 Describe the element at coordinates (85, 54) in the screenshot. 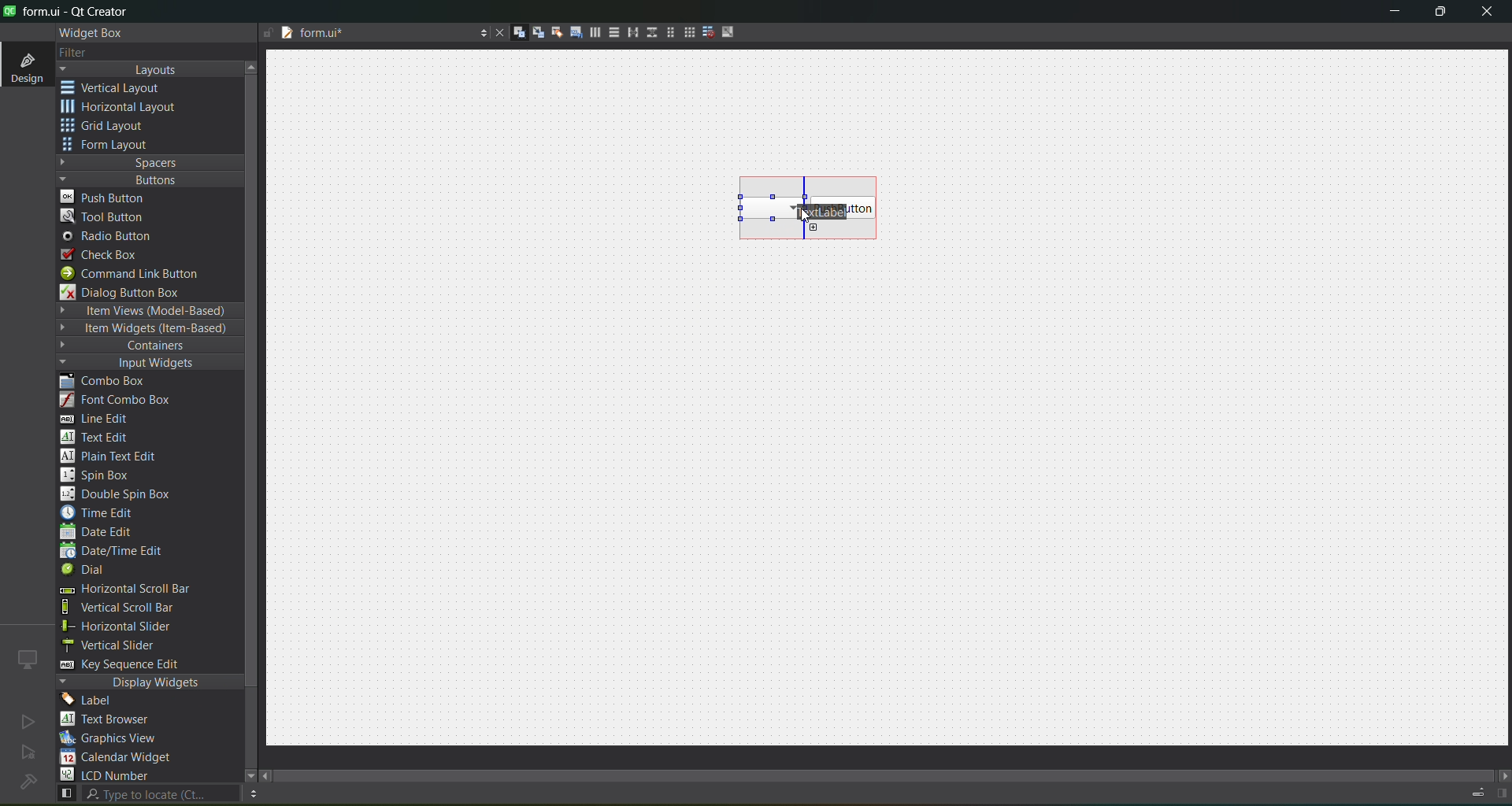

I see `filter` at that location.